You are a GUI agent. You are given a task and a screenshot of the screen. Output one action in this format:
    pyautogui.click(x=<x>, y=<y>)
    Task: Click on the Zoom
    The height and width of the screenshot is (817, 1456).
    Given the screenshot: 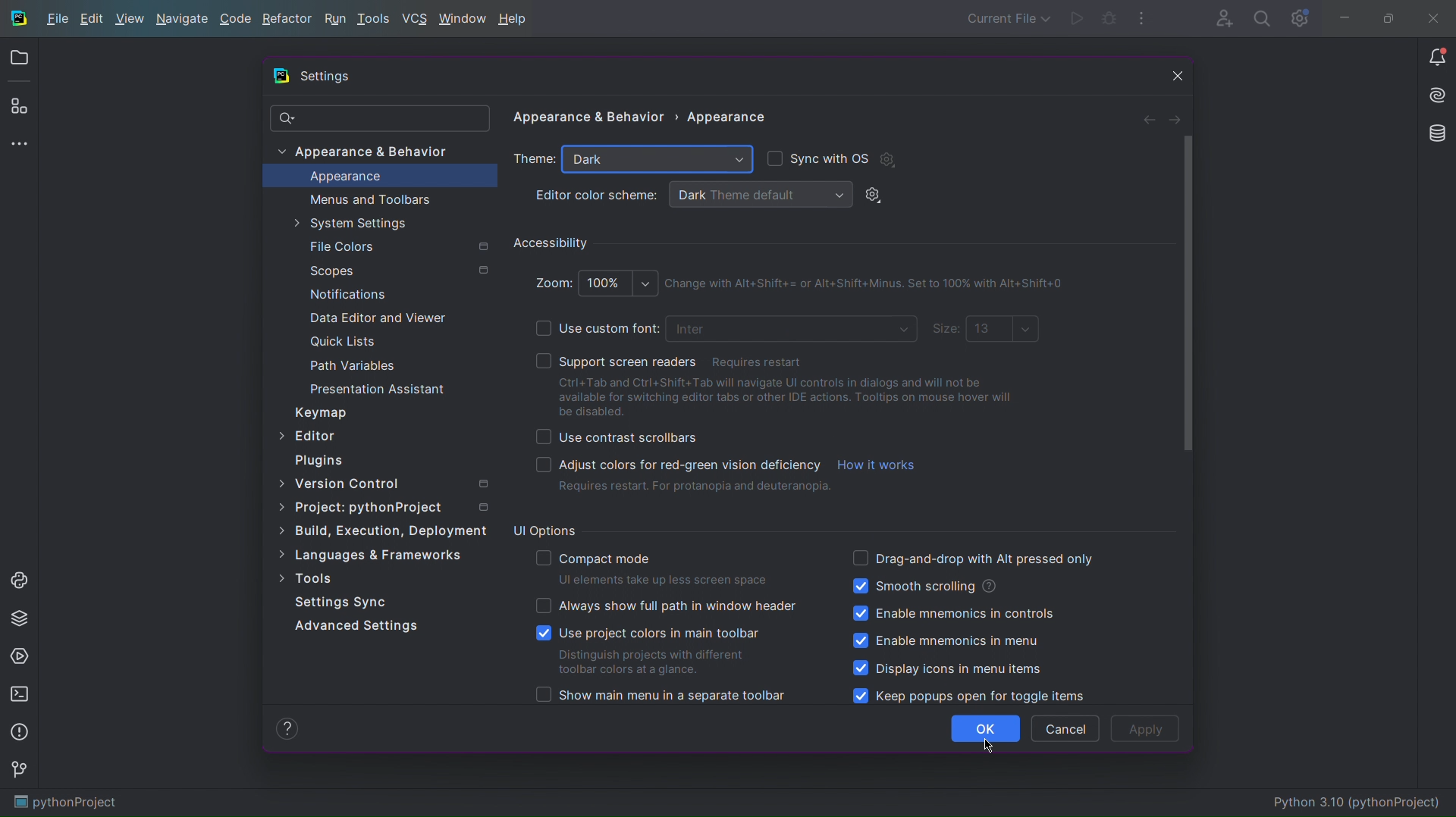 What is the action you would take?
    pyautogui.click(x=594, y=280)
    